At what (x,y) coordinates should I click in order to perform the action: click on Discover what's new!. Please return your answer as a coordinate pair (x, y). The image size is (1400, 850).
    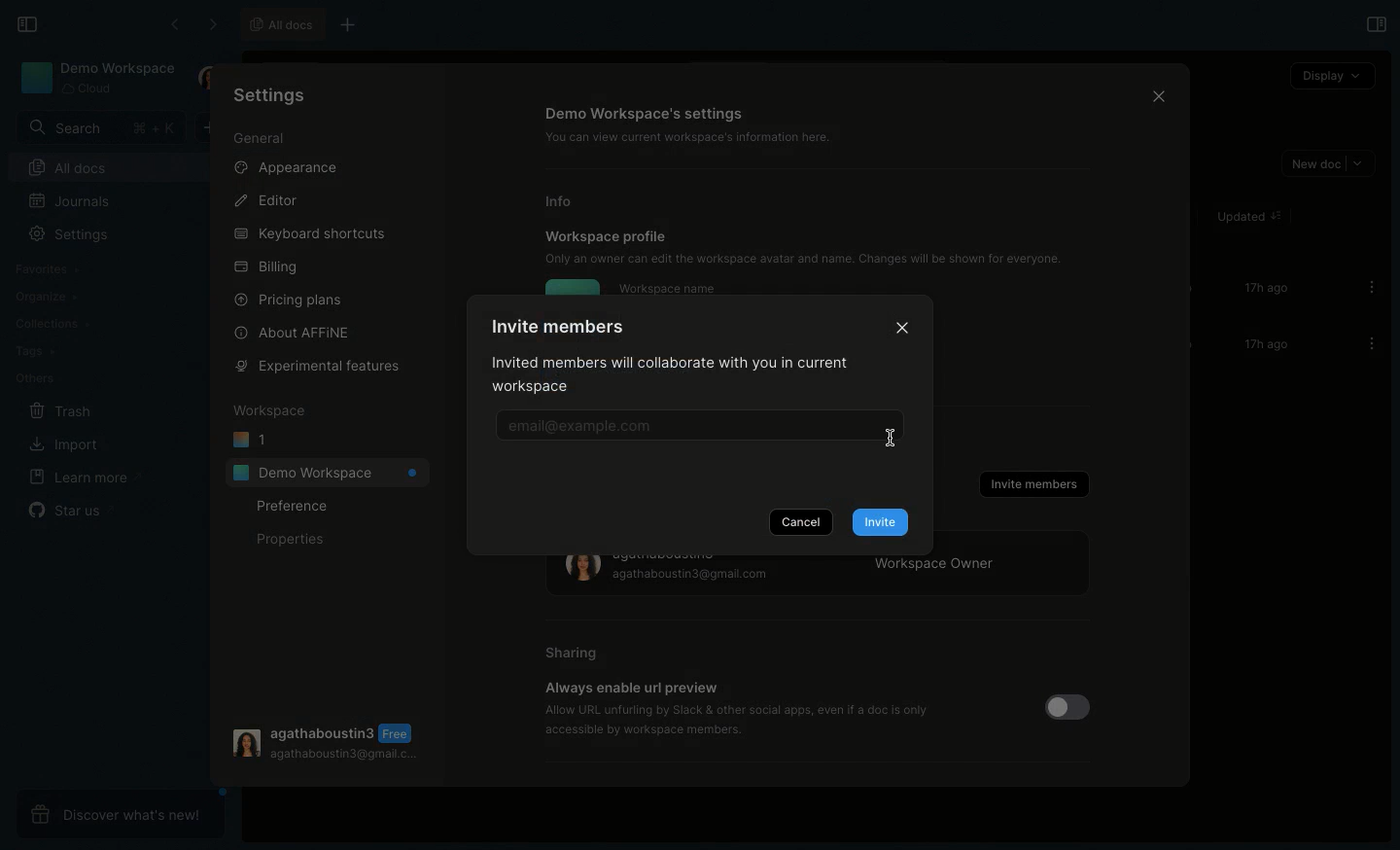
    Looking at the image, I should click on (118, 812).